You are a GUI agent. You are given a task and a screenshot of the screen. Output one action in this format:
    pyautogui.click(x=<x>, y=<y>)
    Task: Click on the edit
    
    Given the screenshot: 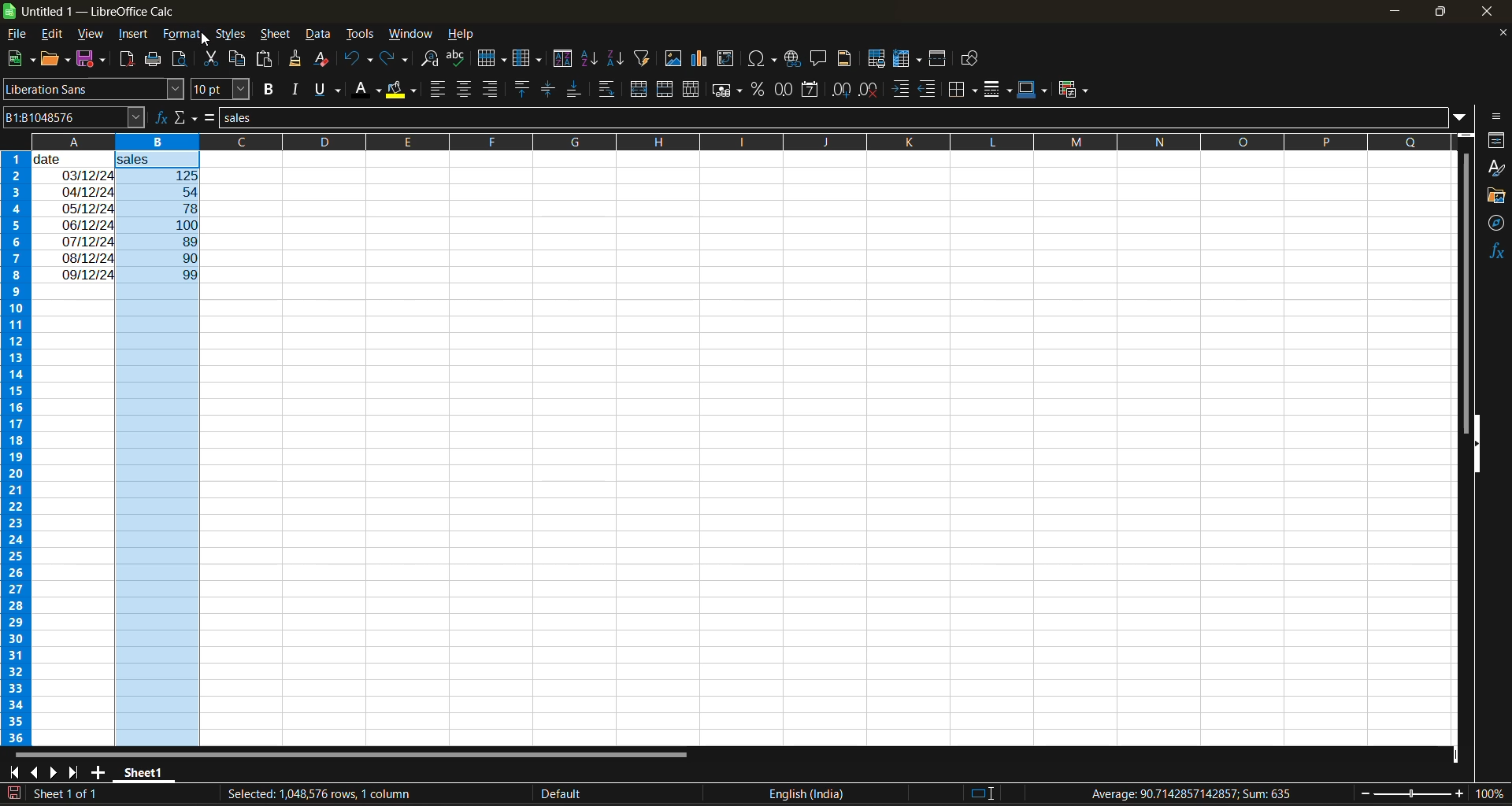 What is the action you would take?
    pyautogui.click(x=55, y=32)
    